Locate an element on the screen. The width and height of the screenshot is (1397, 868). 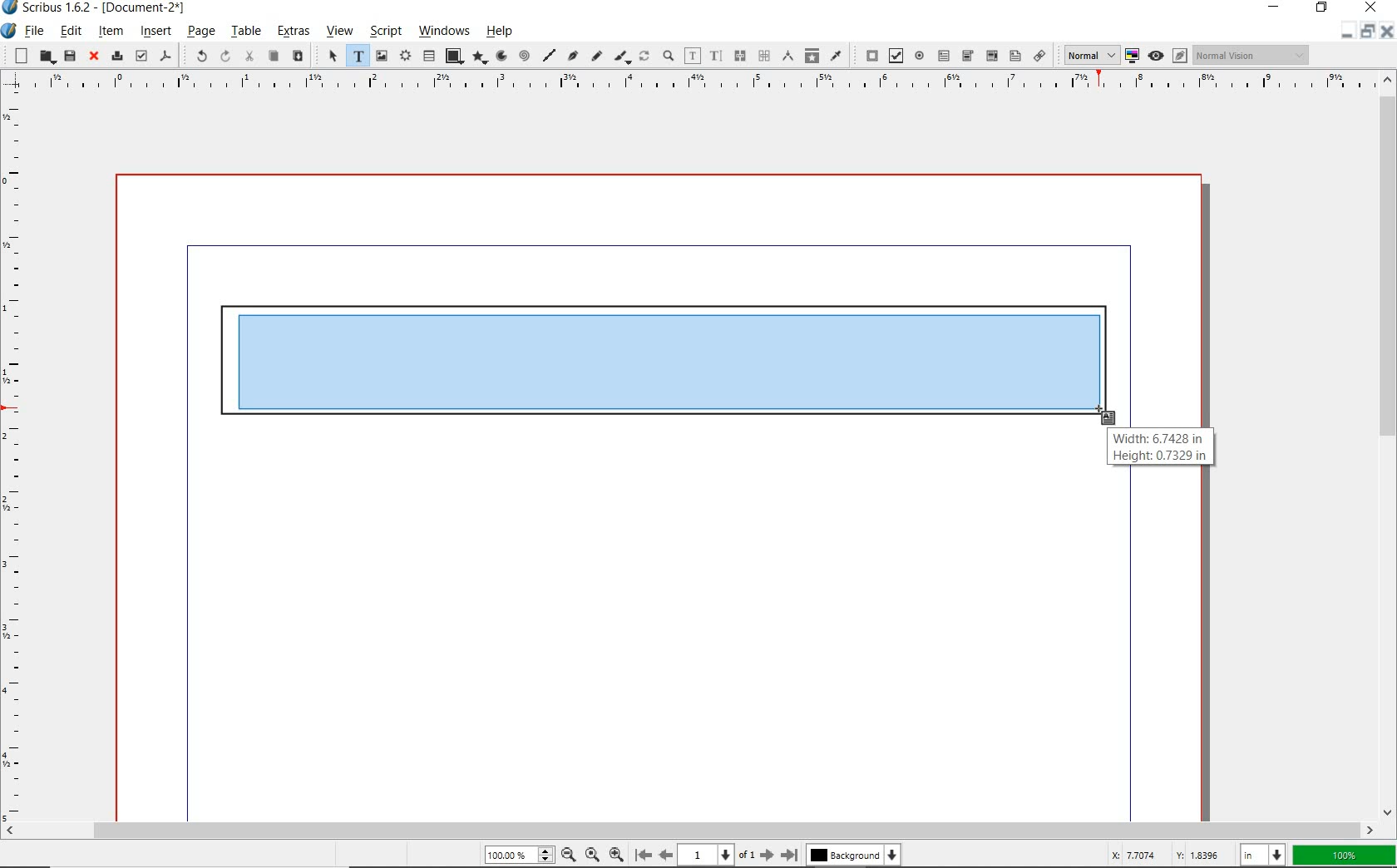
zoom factor is located at coordinates (1344, 856).